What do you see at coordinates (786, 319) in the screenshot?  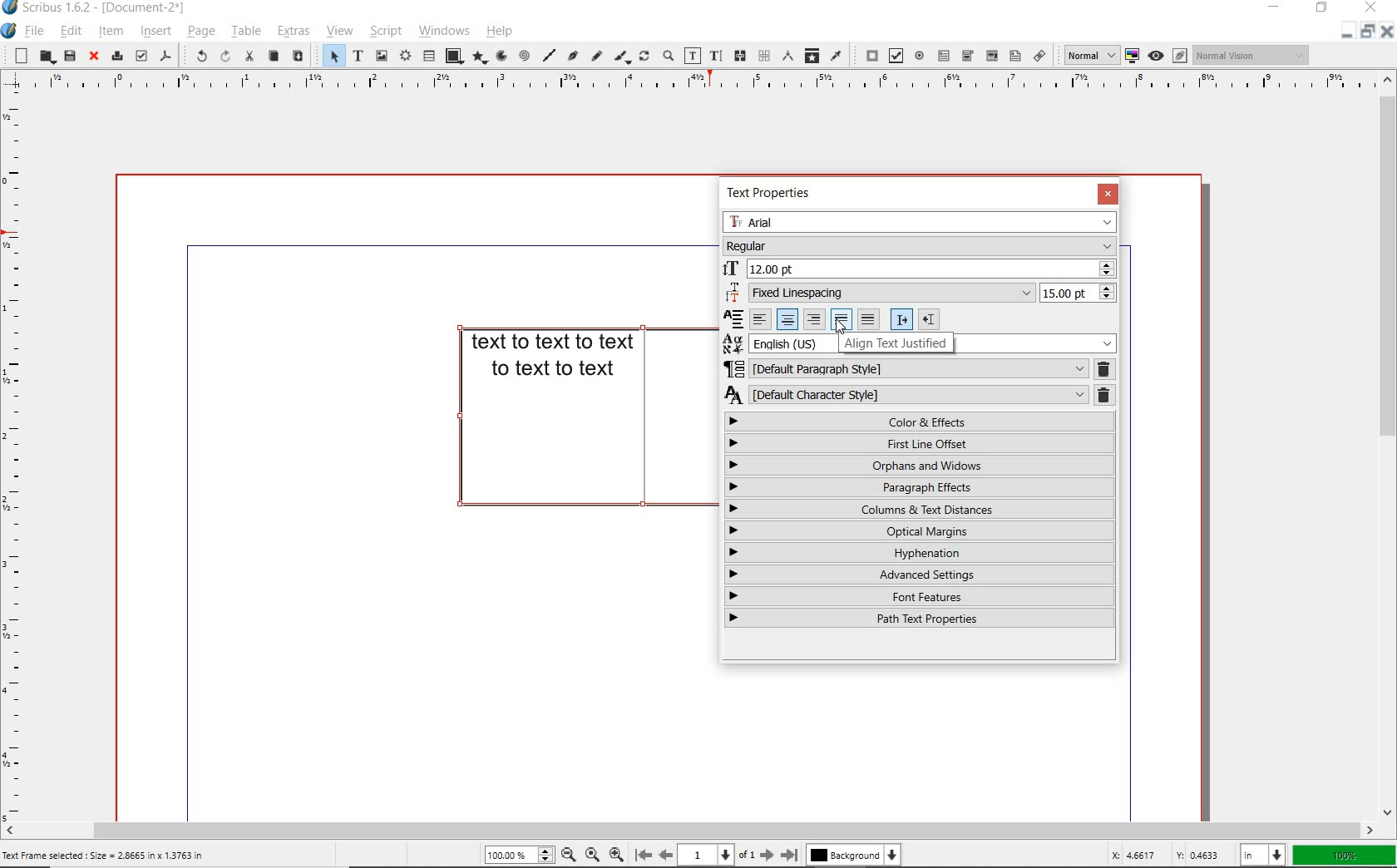 I see `align center` at bounding box center [786, 319].